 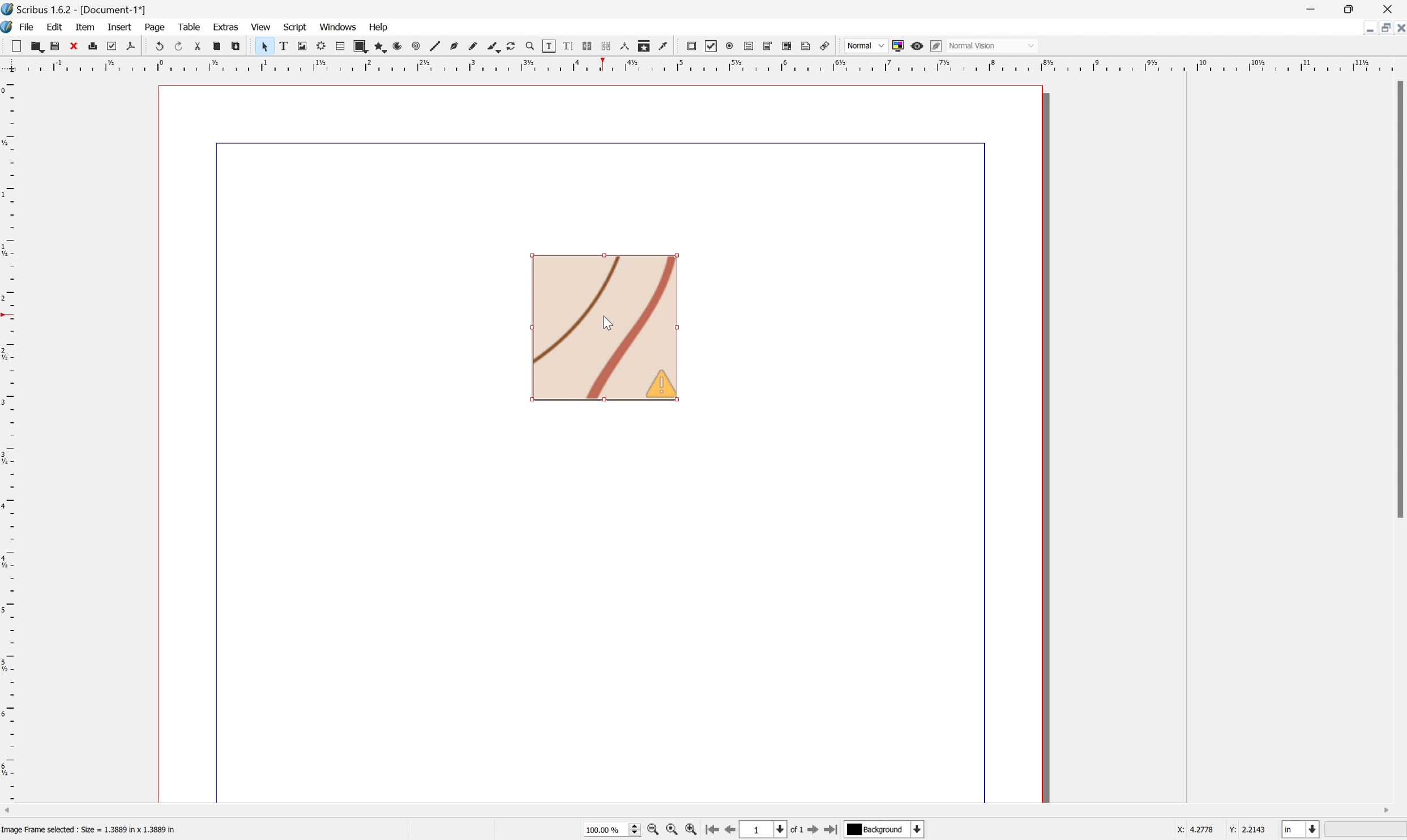 I want to click on Rotate item, so click(x=515, y=46).